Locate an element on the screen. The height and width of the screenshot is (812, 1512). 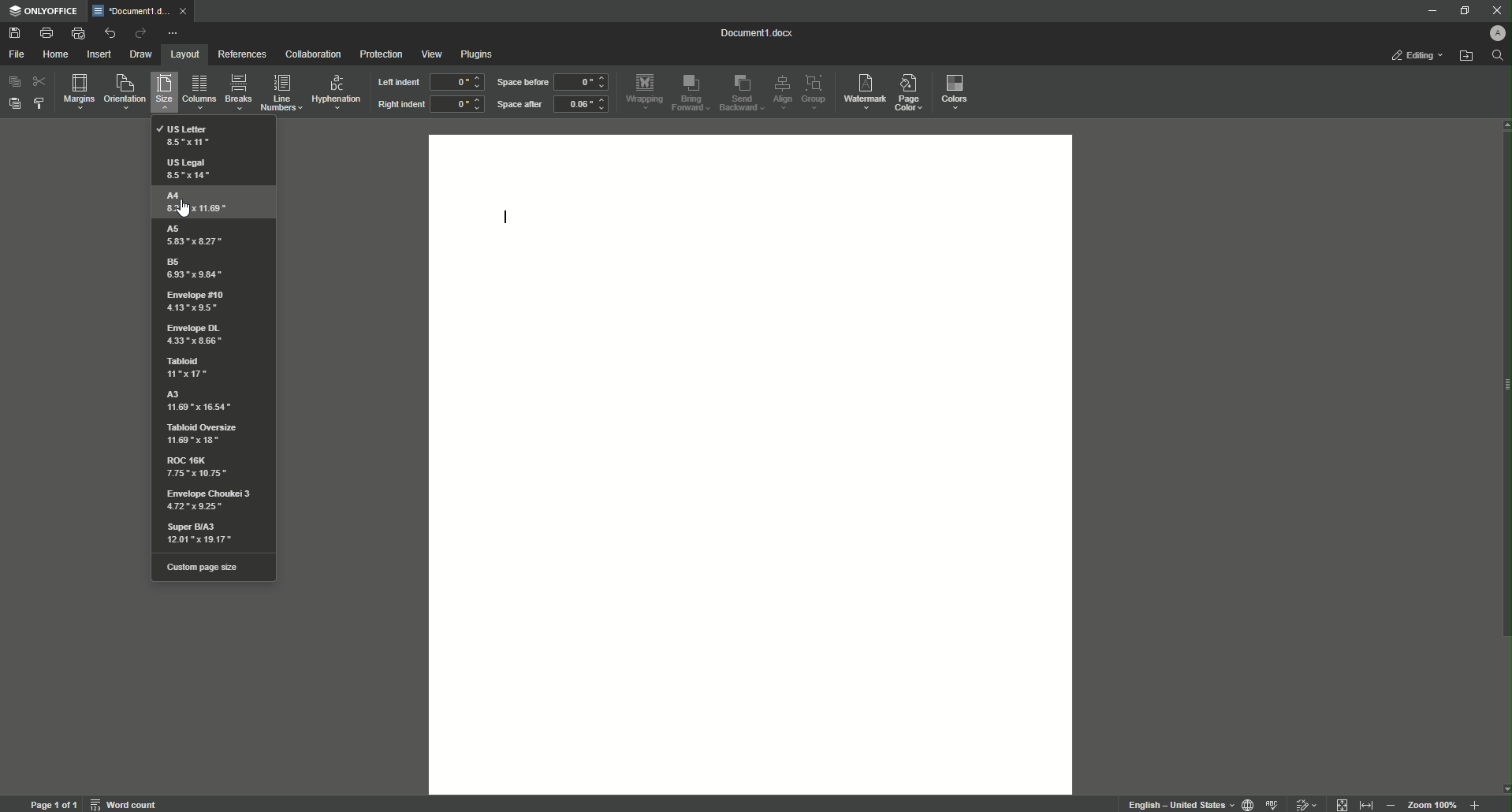
Space before is located at coordinates (521, 83).